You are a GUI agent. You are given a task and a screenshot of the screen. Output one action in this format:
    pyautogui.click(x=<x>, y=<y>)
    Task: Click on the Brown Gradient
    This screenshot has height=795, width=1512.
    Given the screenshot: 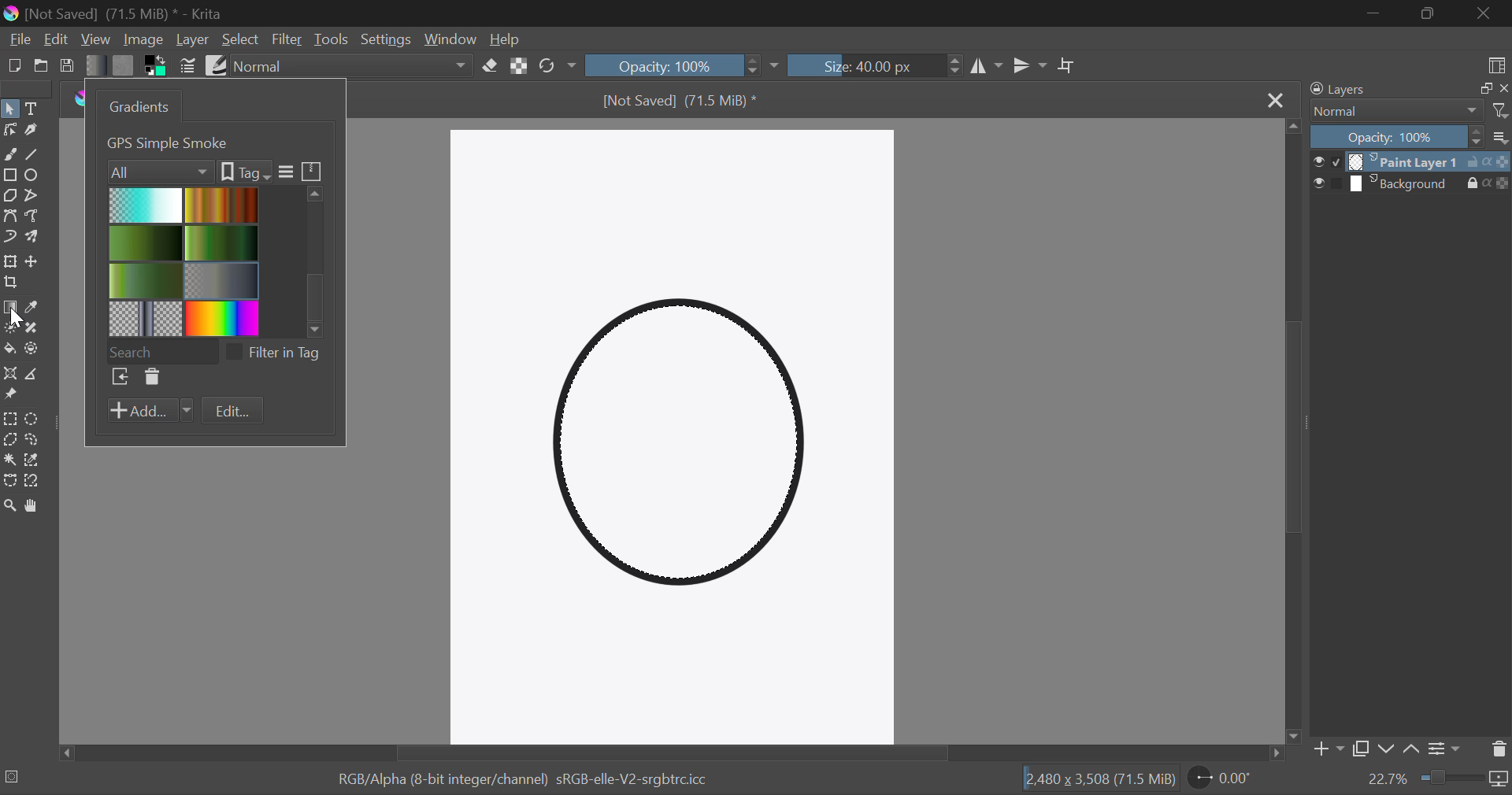 What is the action you would take?
    pyautogui.click(x=223, y=205)
    